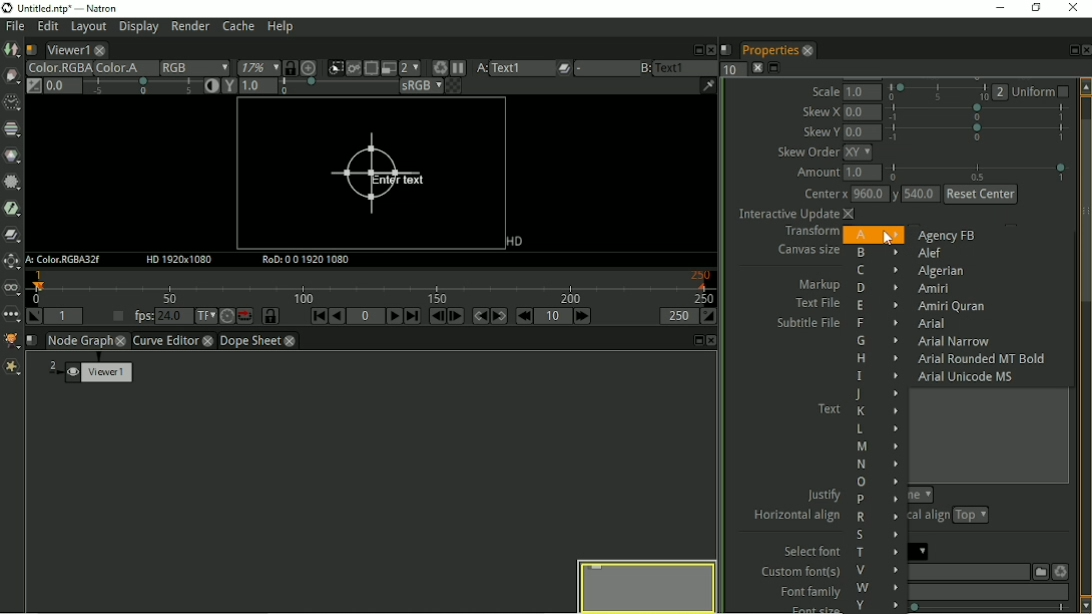 The height and width of the screenshot is (614, 1092). What do you see at coordinates (12, 368) in the screenshot?
I see `Extra` at bounding box center [12, 368].